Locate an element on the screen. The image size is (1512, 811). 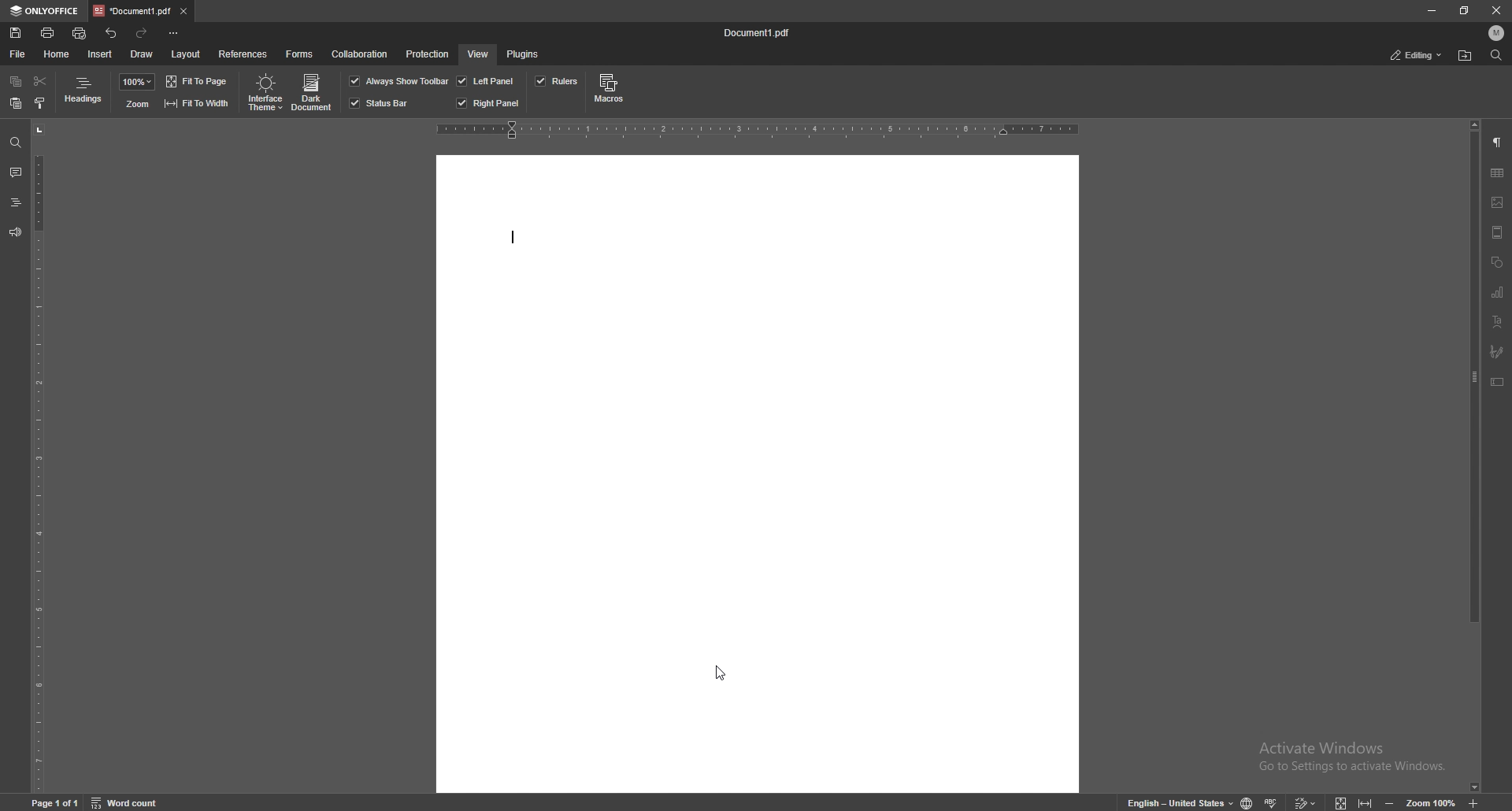
status is located at coordinates (1417, 54).